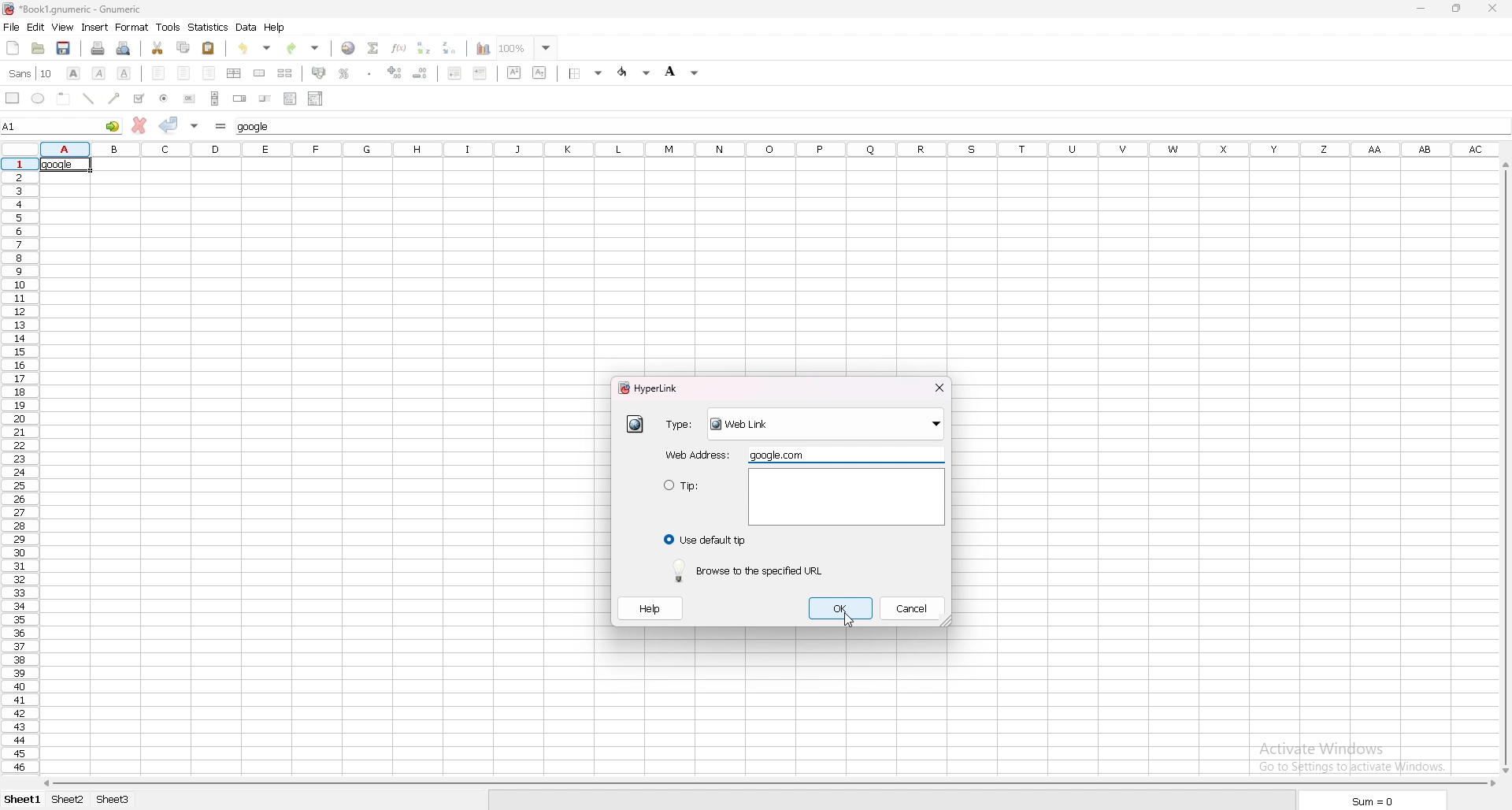 The image size is (1512, 810). What do you see at coordinates (768, 783) in the screenshot?
I see `scroll bar` at bounding box center [768, 783].